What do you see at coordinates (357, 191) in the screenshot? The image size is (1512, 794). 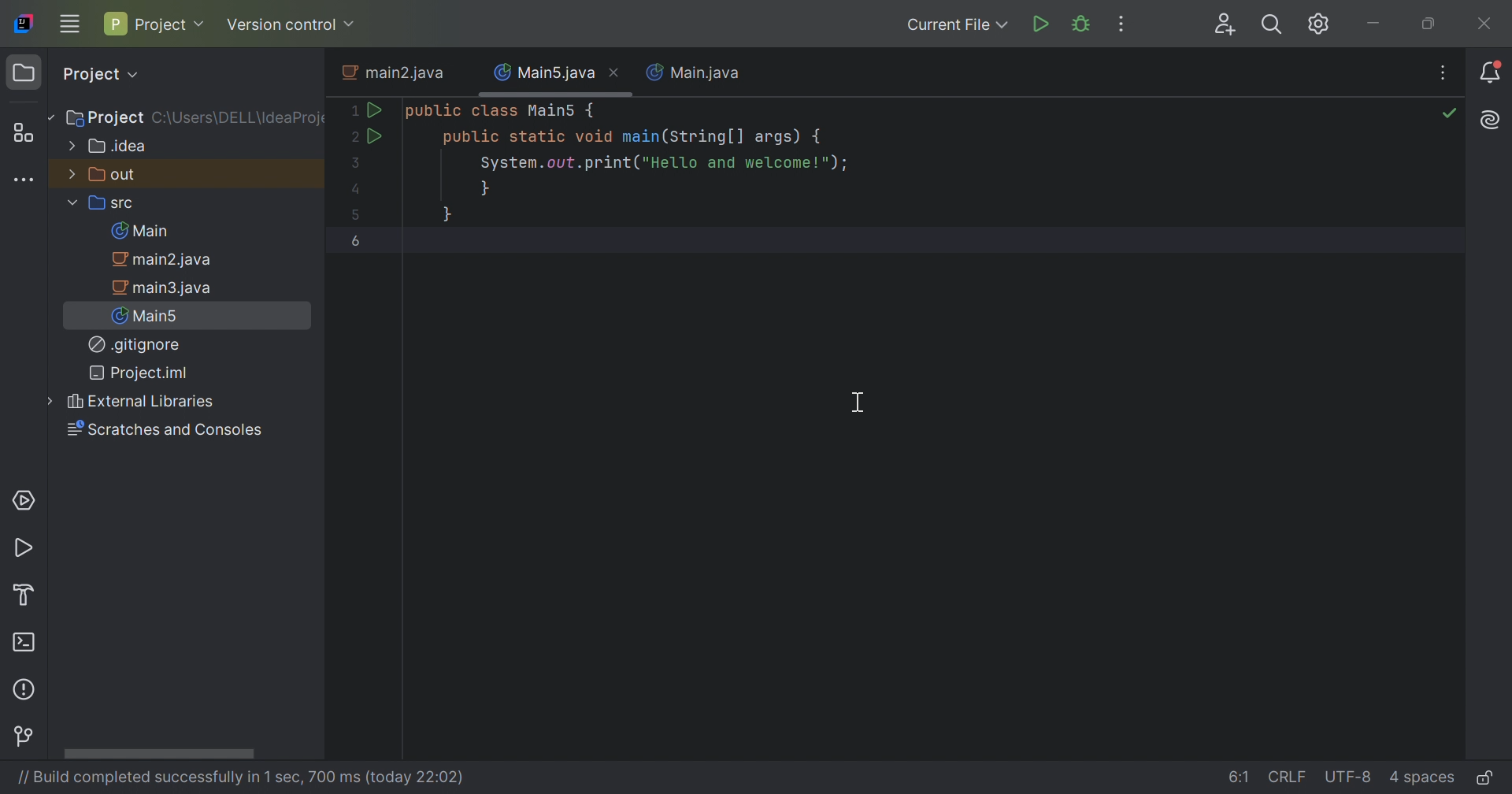 I see `4` at bounding box center [357, 191].